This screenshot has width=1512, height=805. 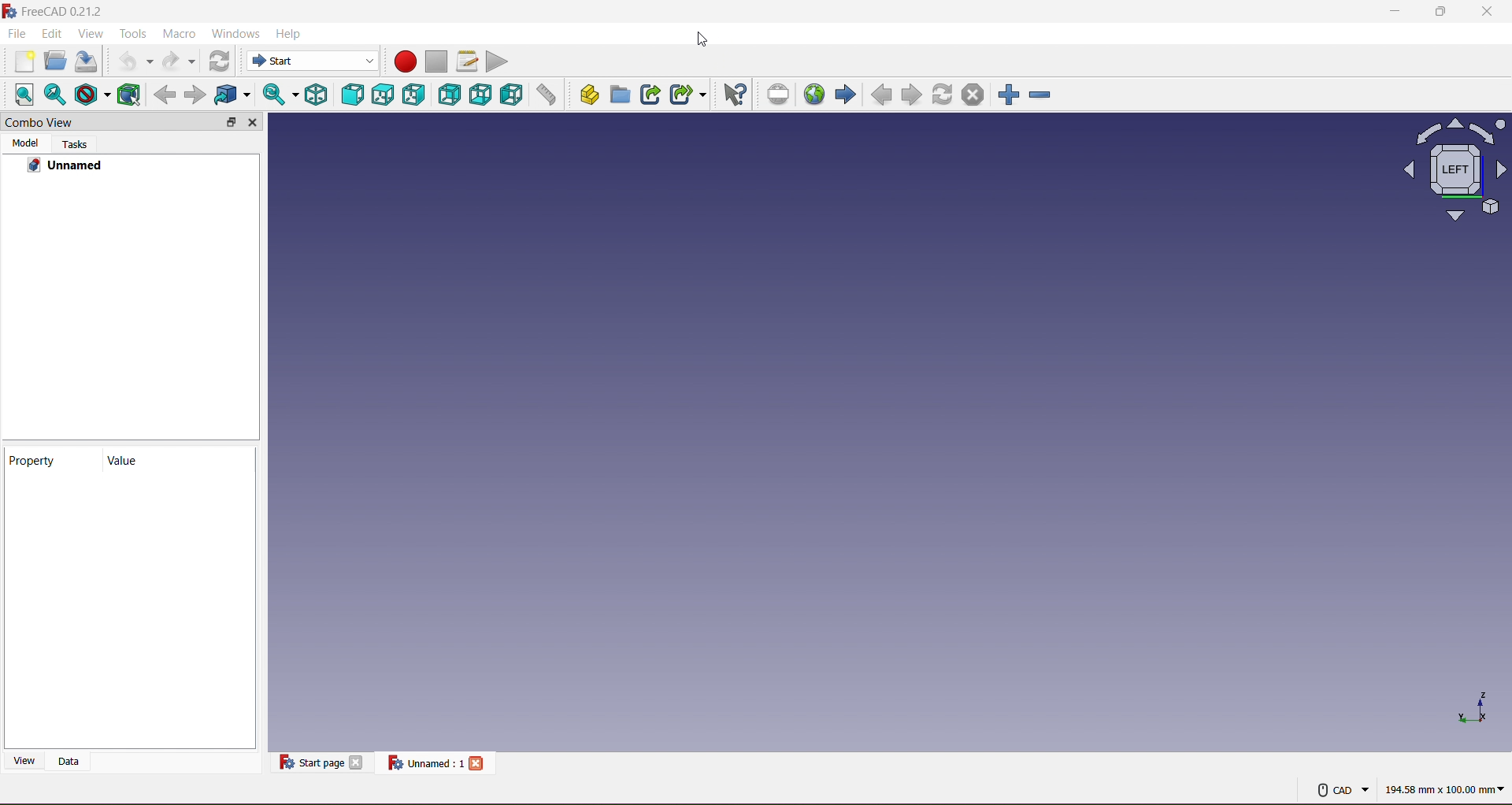 What do you see at coordinates (24, 759) in the screenshot?
I see `View` at bounding box center [24, 759].